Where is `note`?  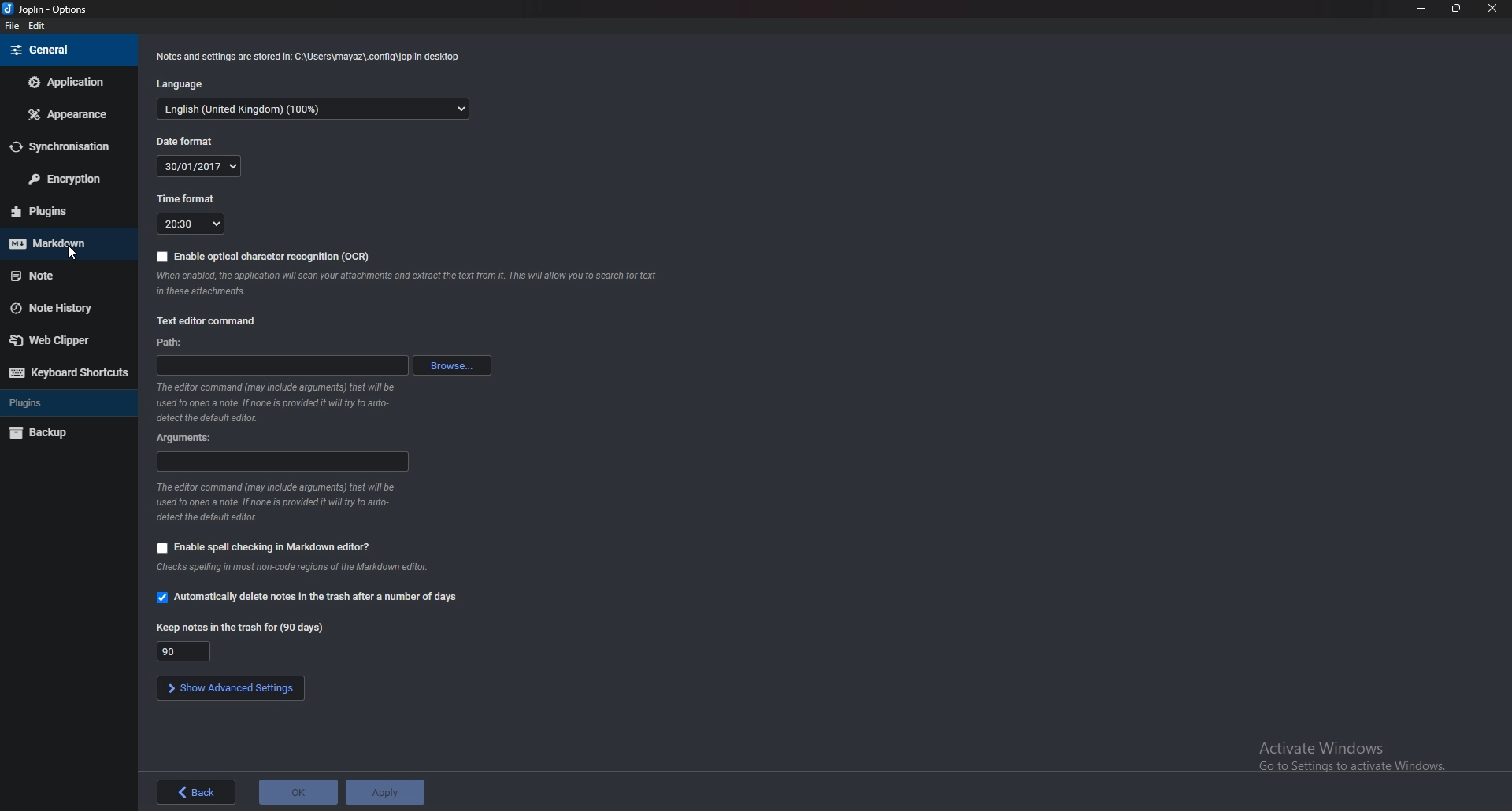
note is located at coordinates (59, 276).